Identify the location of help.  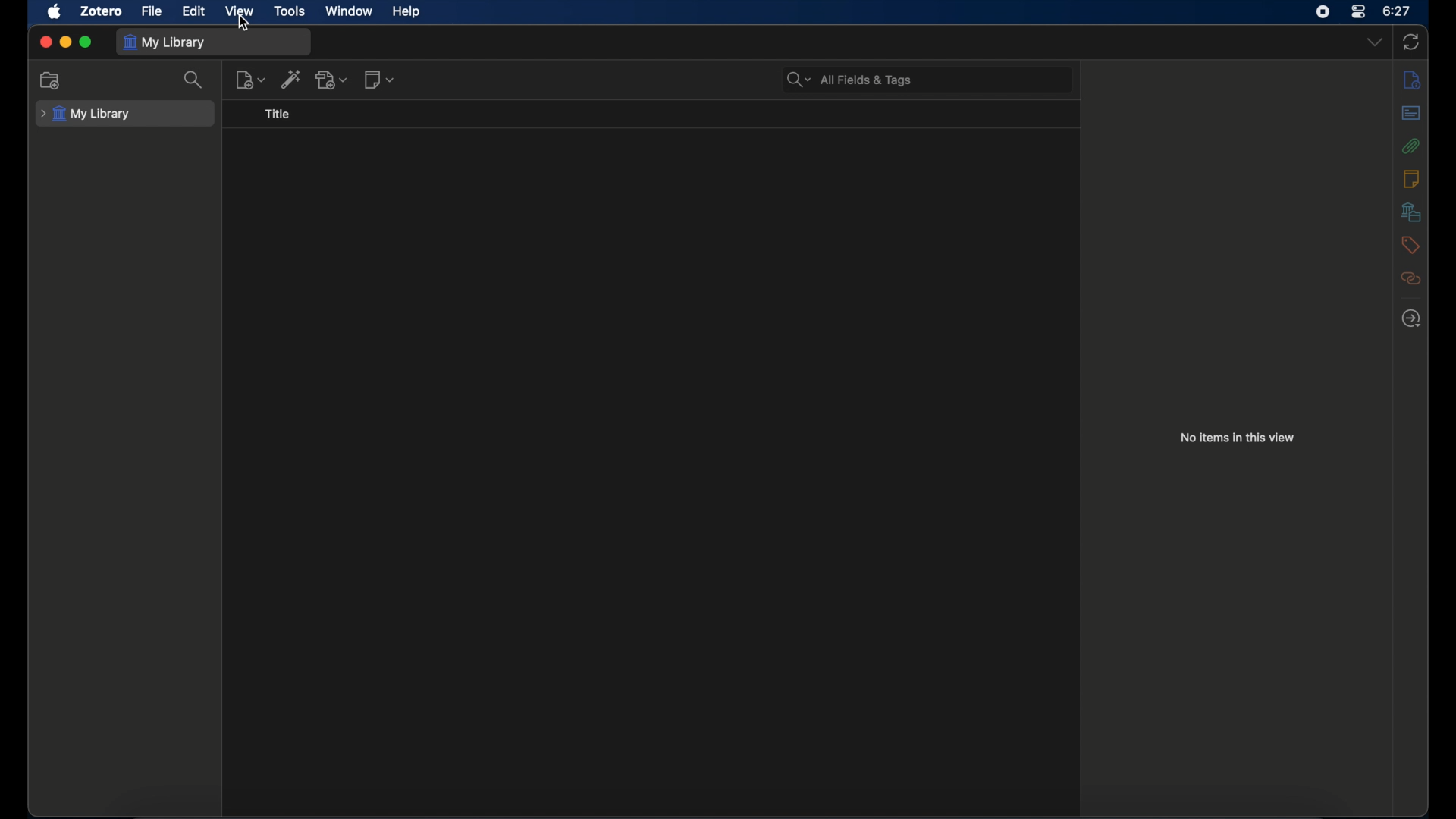
(406, 11).